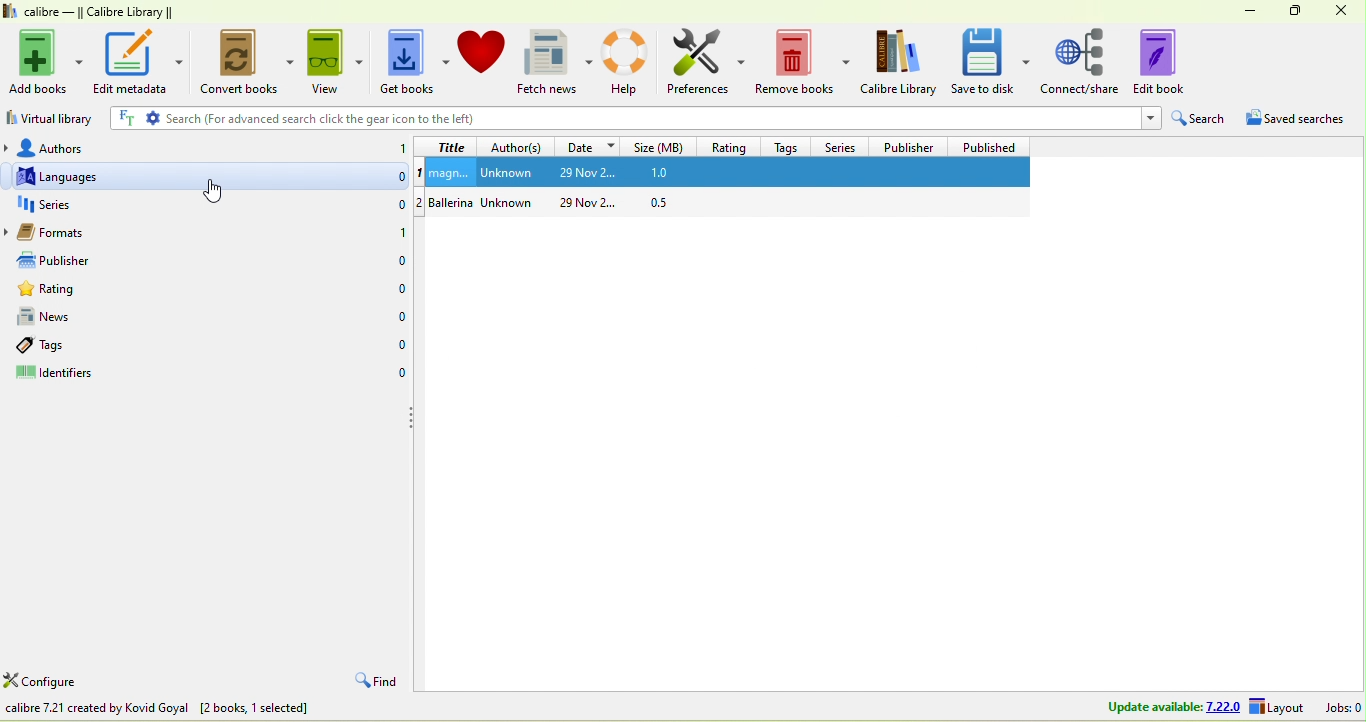 The height and width of the screenshot is (722, 1366). I want to click on size (mb), so click(654, 146).